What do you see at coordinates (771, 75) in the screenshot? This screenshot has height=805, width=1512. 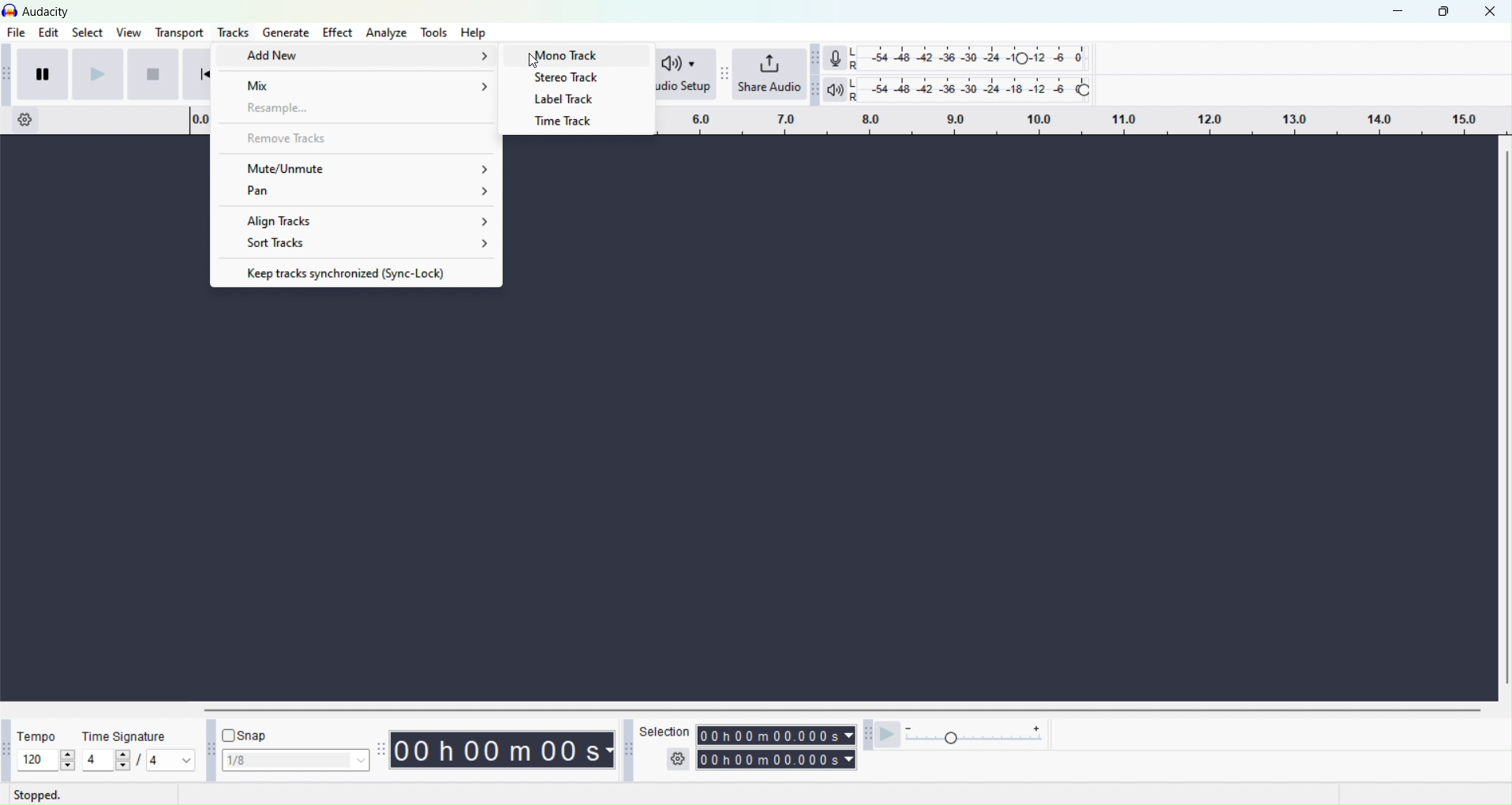 I see `Share audio` at bounding box center [771, 75].